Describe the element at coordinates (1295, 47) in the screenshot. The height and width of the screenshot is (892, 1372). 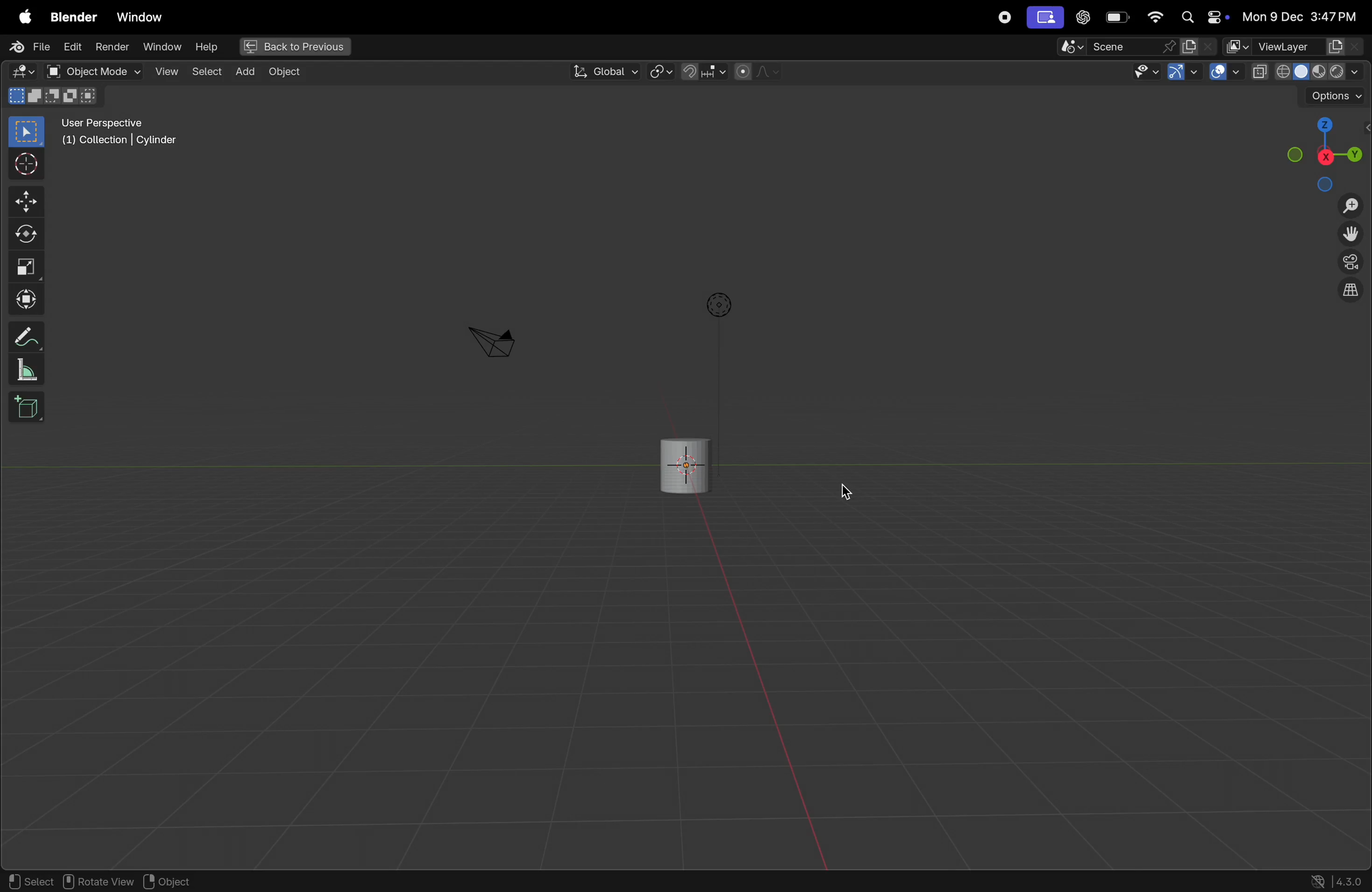
I see `Viewlayer` at that location.